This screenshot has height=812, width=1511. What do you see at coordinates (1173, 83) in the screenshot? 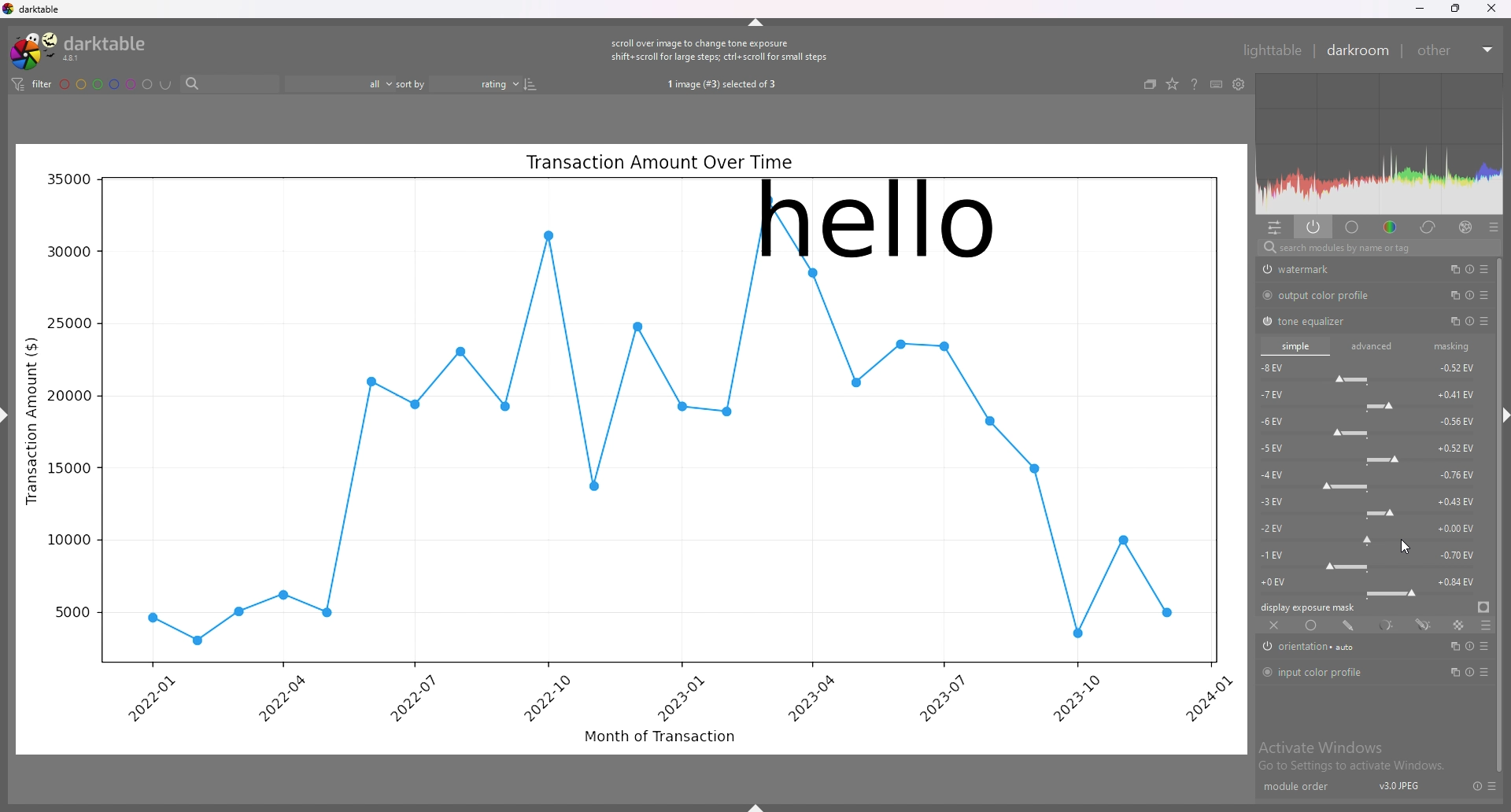
I see `change type of overlays` at bounding box center [1173, 83].